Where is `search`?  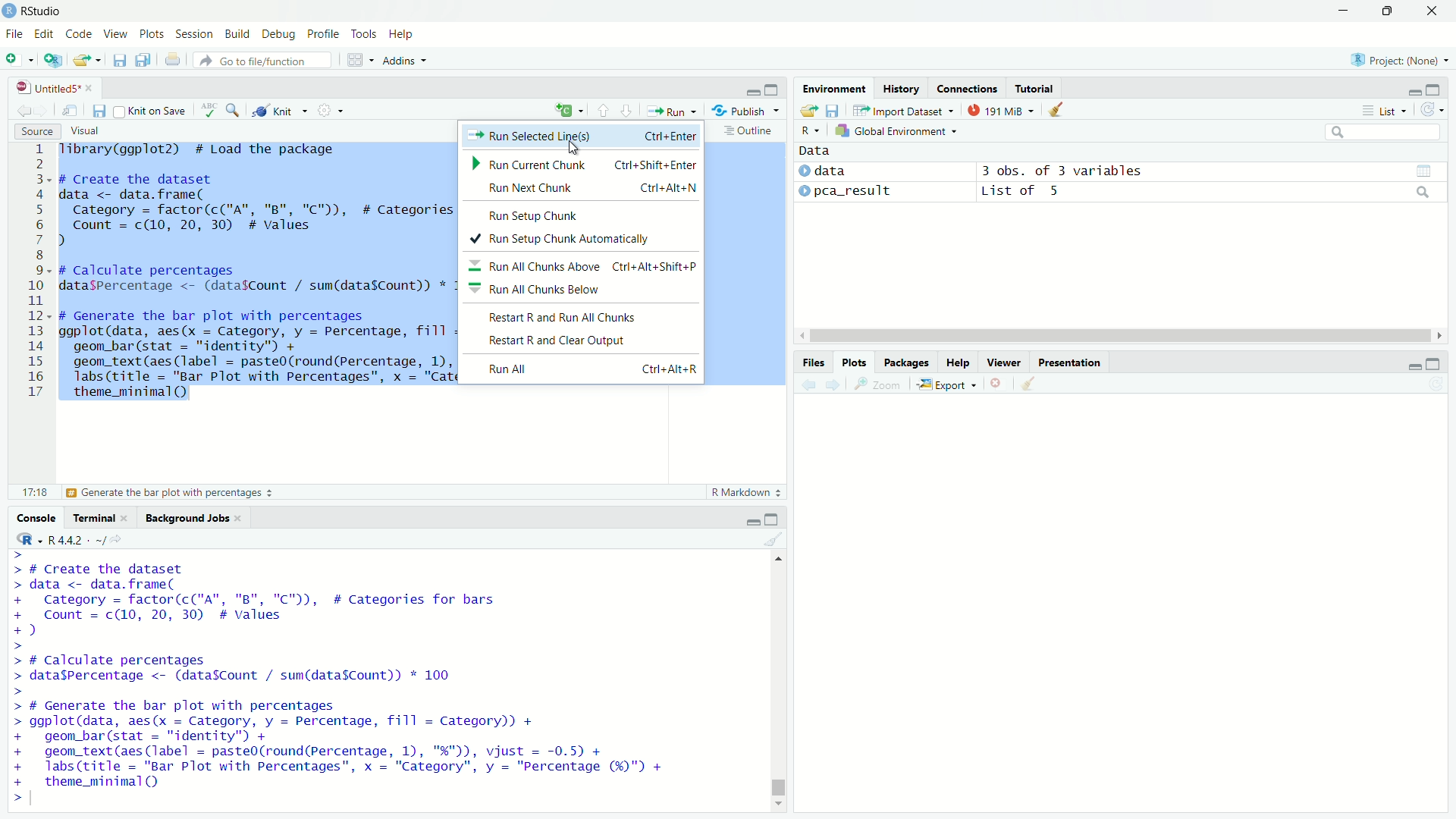
search is located at coordinates (1382, 131).